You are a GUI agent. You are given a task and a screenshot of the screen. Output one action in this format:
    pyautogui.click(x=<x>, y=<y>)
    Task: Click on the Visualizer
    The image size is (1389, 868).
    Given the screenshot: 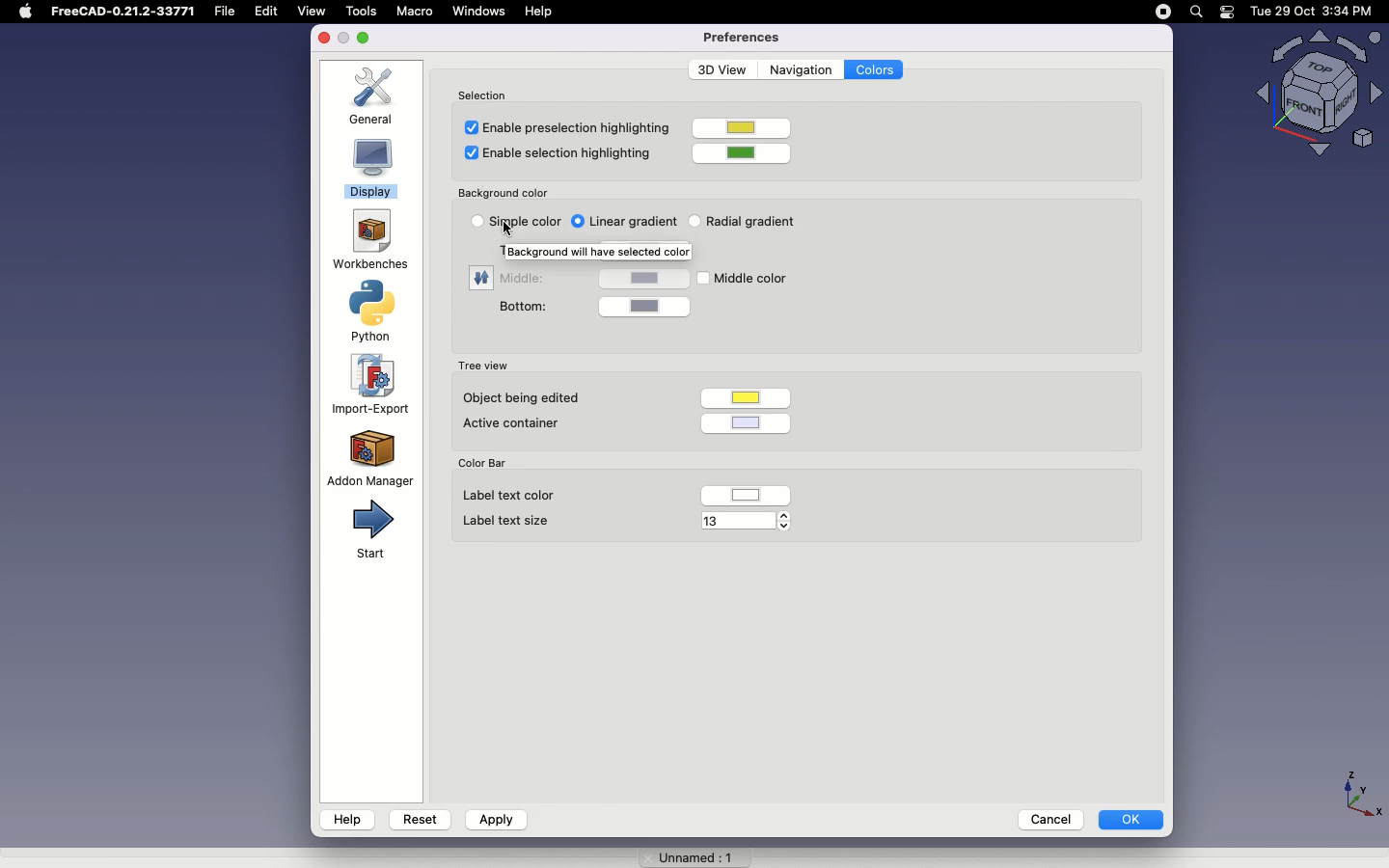 What is the action you would take?
    pyautogui.click(x=1312, y=95)
    